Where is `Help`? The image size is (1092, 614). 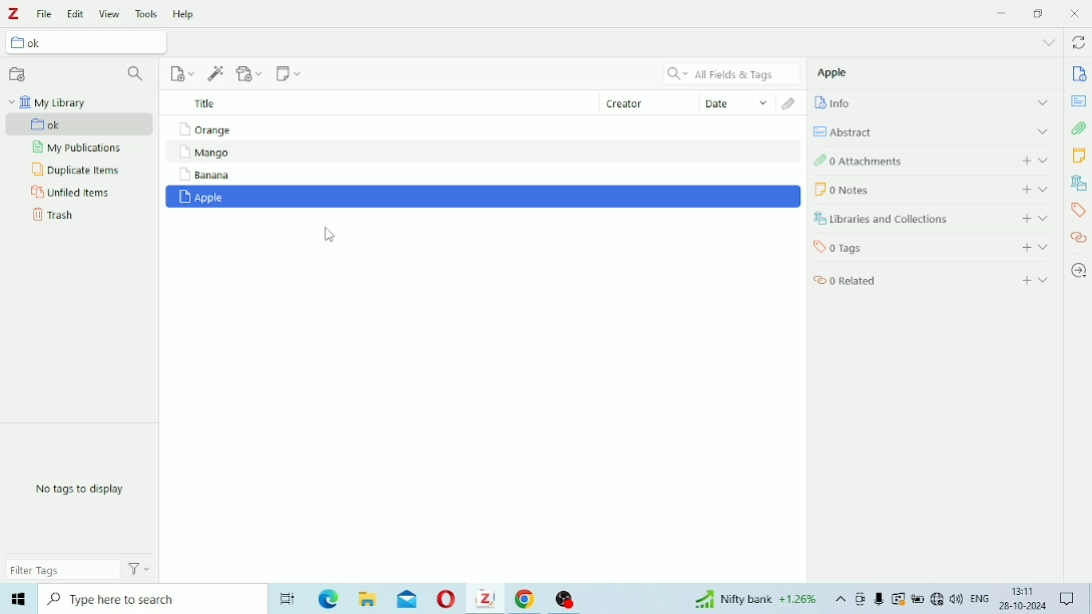 Help is located at coordinates (184, 11).